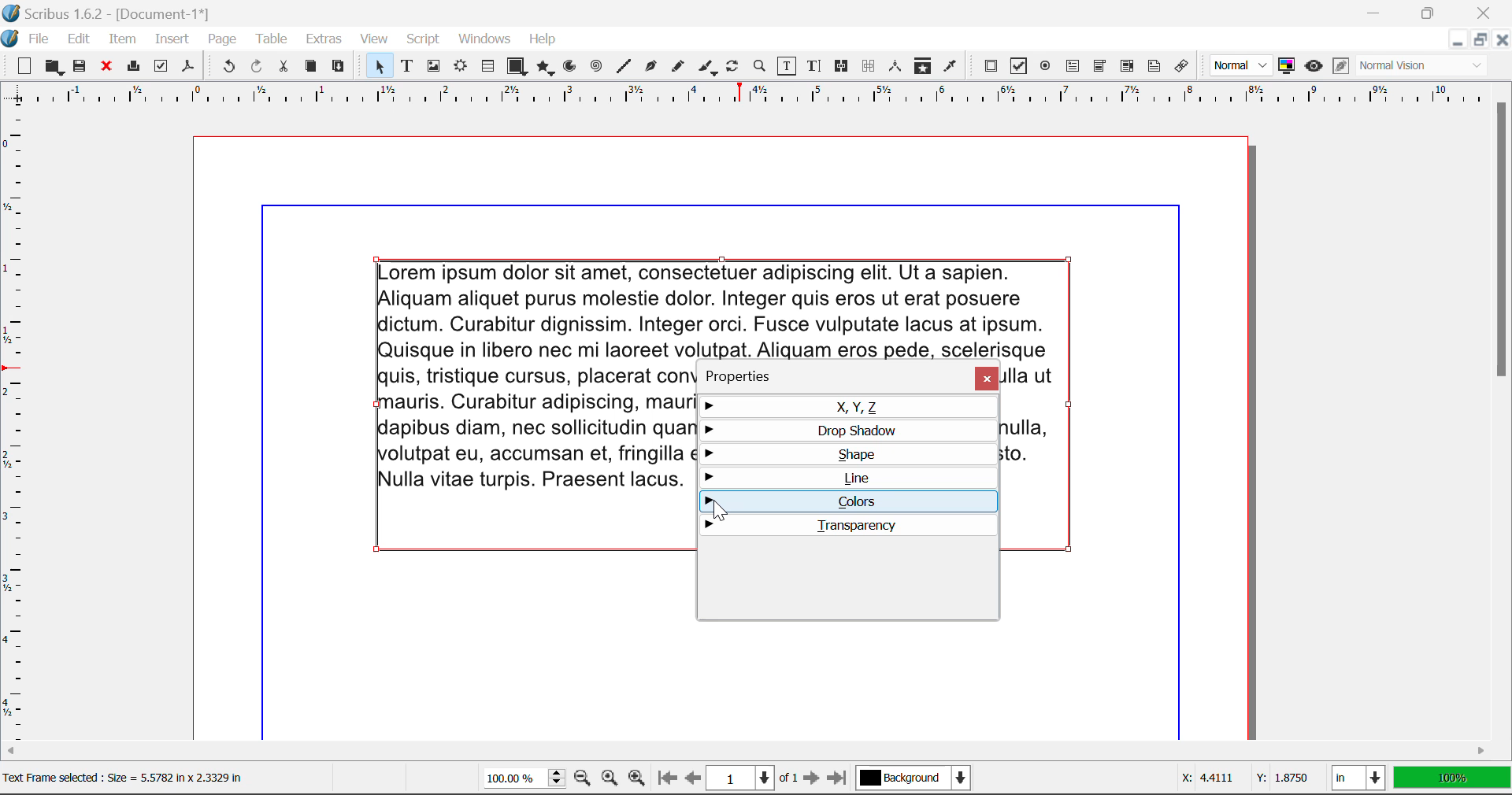 The width and height of the screenshot is (1512, 795). I want to click on Table, so click(270, 40).